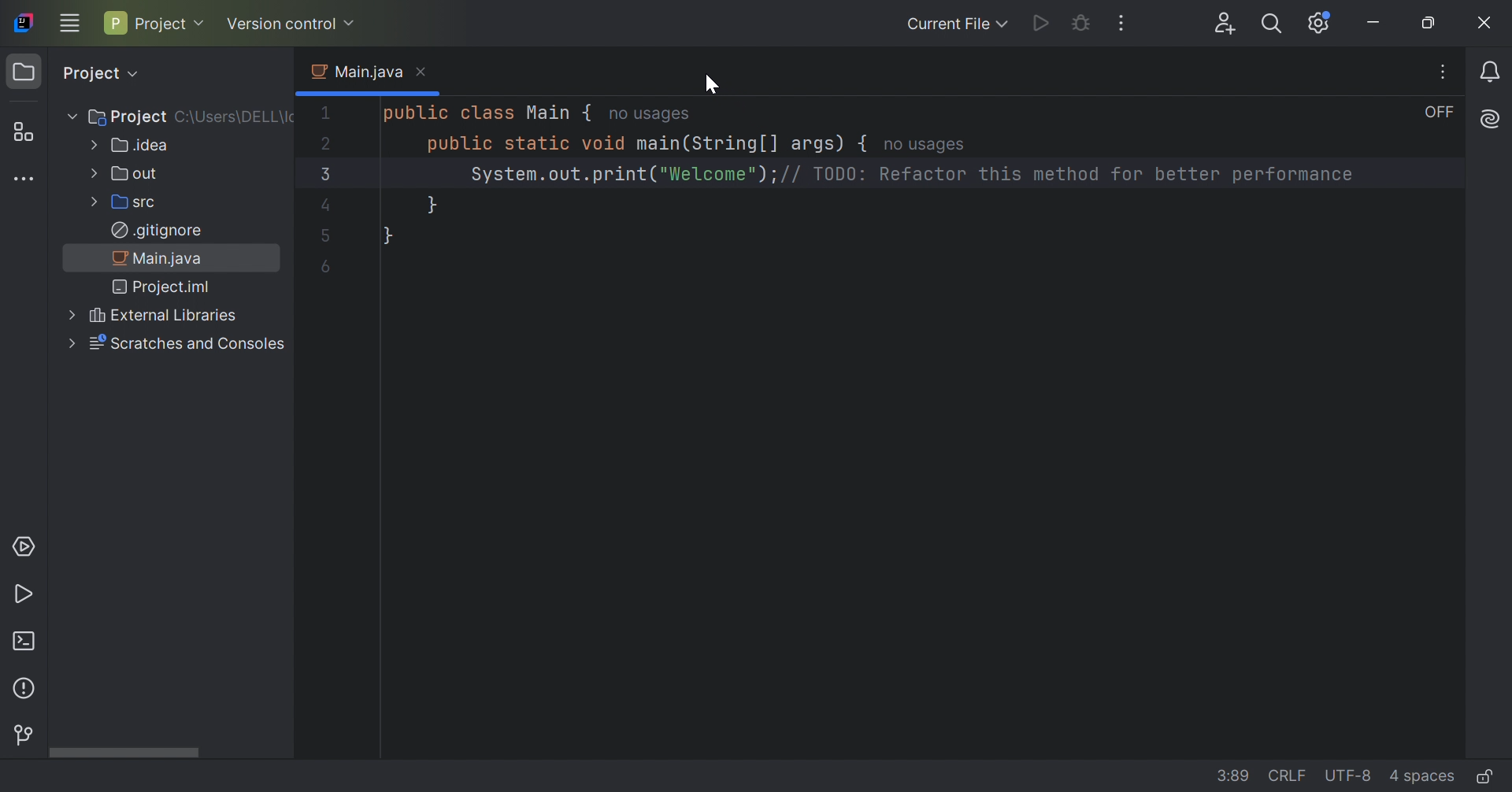 The image size is (1512, 792). Describe the element at coordinates (156, 231) in the screenshot. I see `.gitignore` at that location.